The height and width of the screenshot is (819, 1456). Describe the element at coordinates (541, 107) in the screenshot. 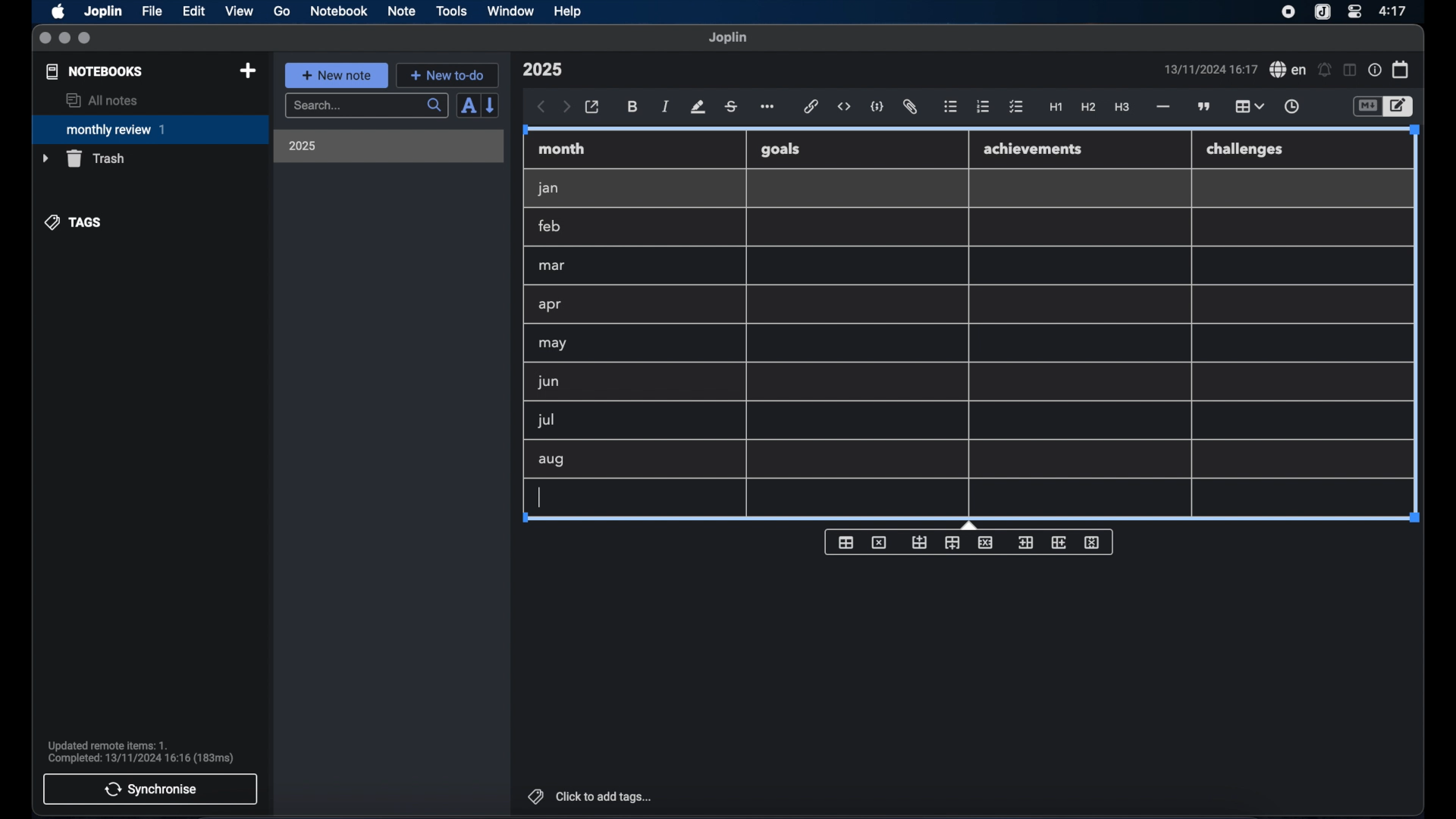

I see `back` at that location.